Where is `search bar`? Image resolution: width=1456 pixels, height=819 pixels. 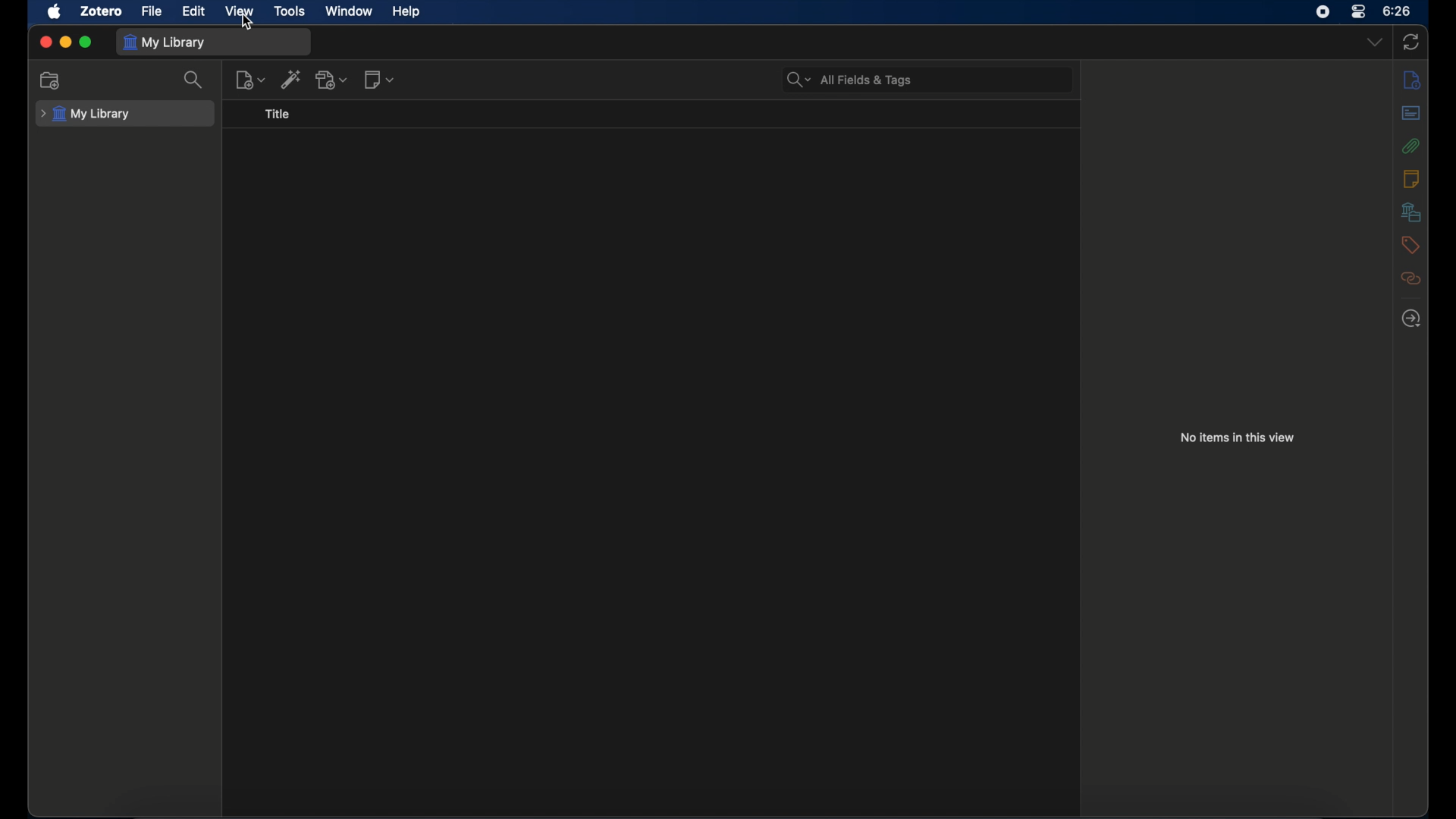 search bar is located at coordinates (848, 80).